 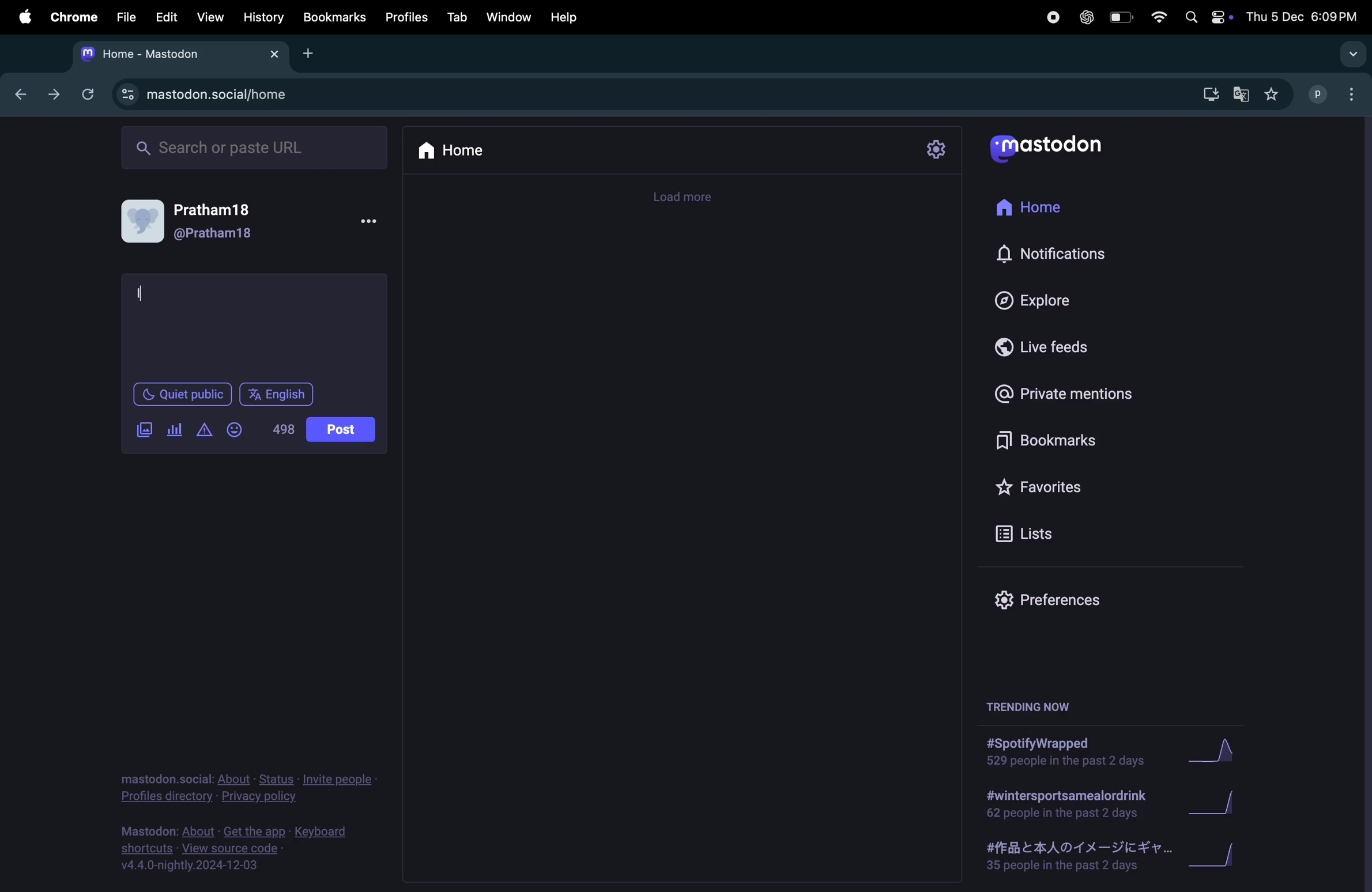 What do you see at coordinates (1072, 858) in the screenshot?
I see `#japanese` at bounding box center [1072, 858].